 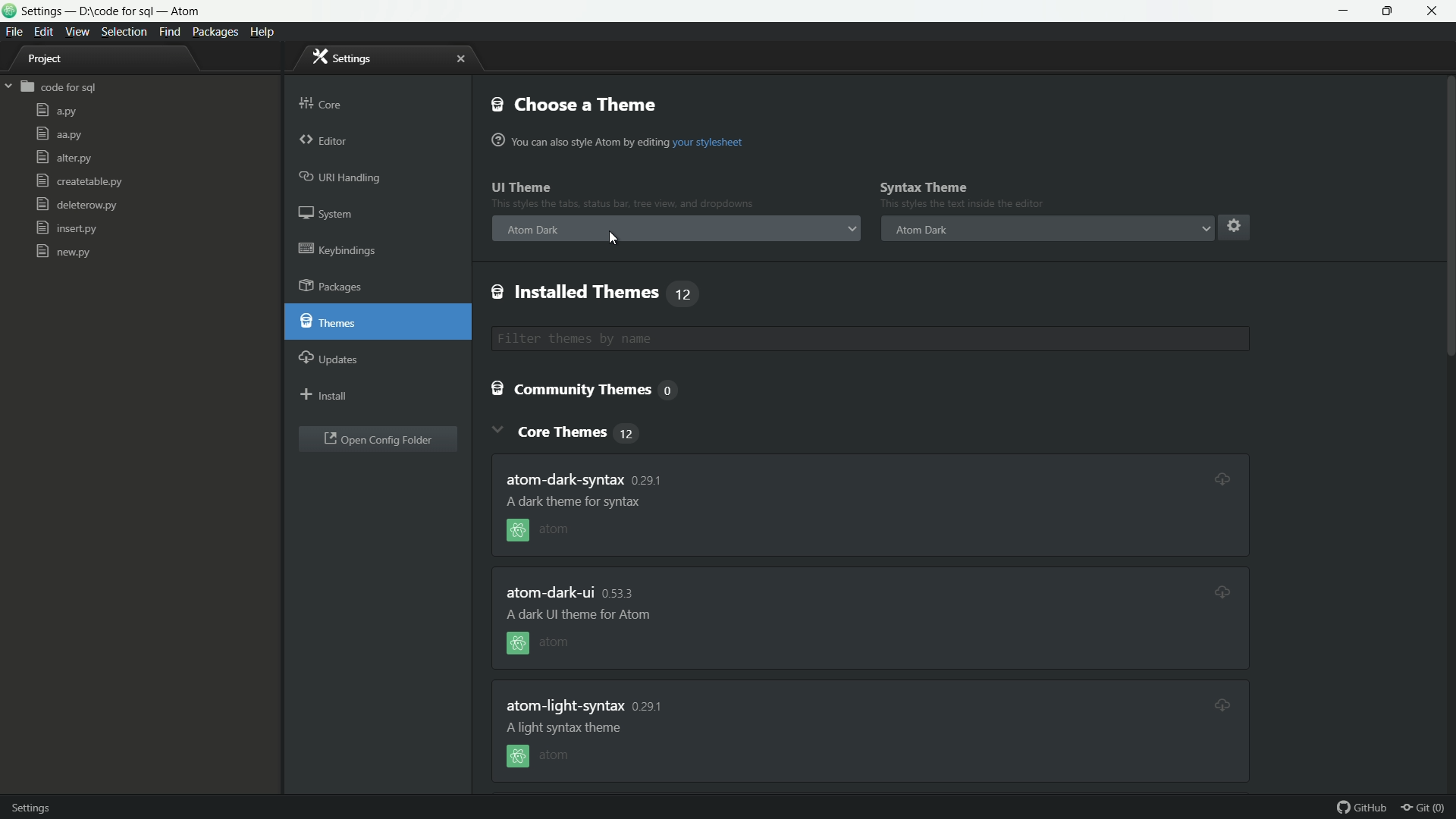 What do you see at coordinates (78, 182) in the screenshot?
I see `createtable.py file` at bounding box center [78, 182].